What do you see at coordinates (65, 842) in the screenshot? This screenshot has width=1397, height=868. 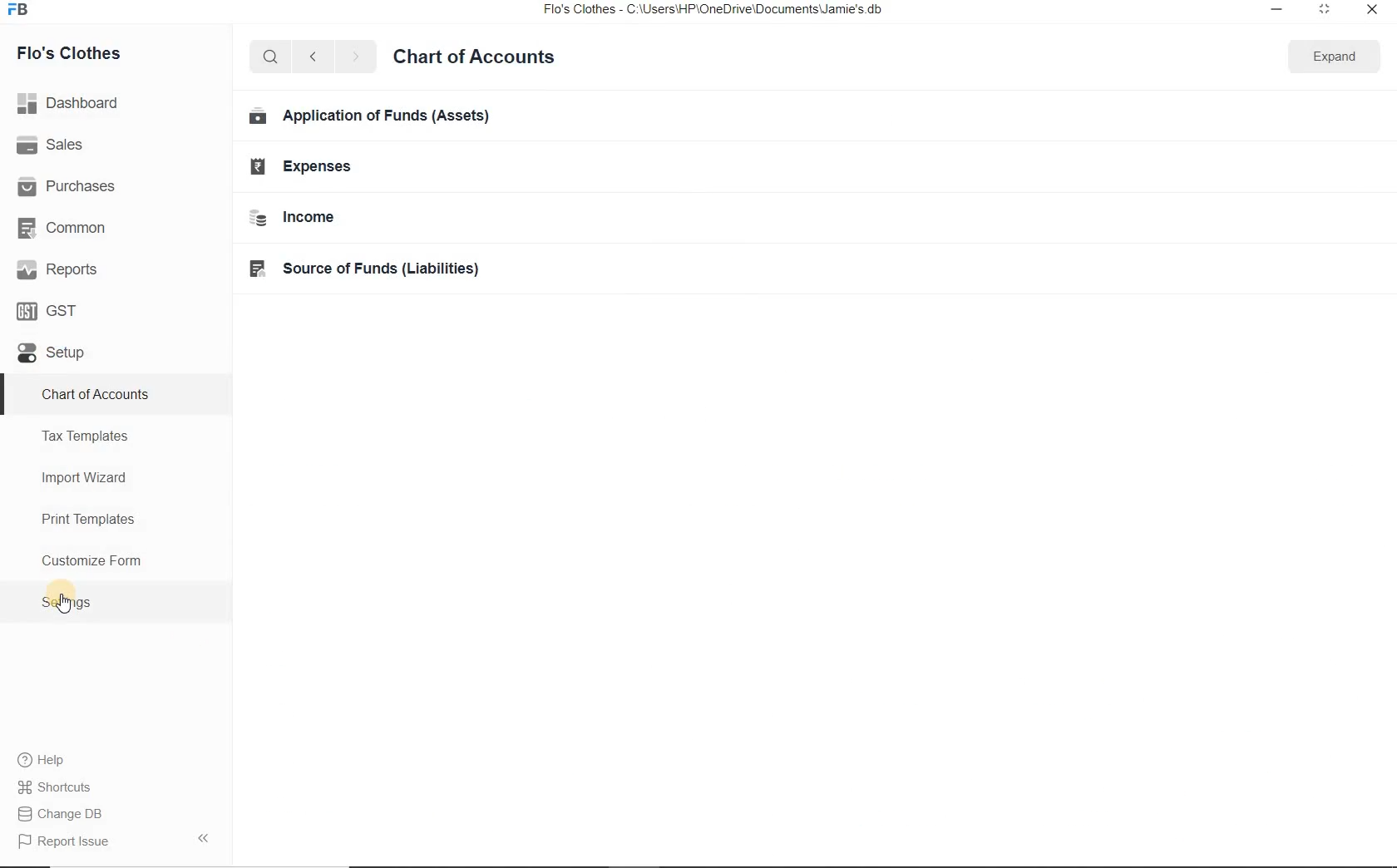 I see `Report issue` at bounding box center [65, 842].